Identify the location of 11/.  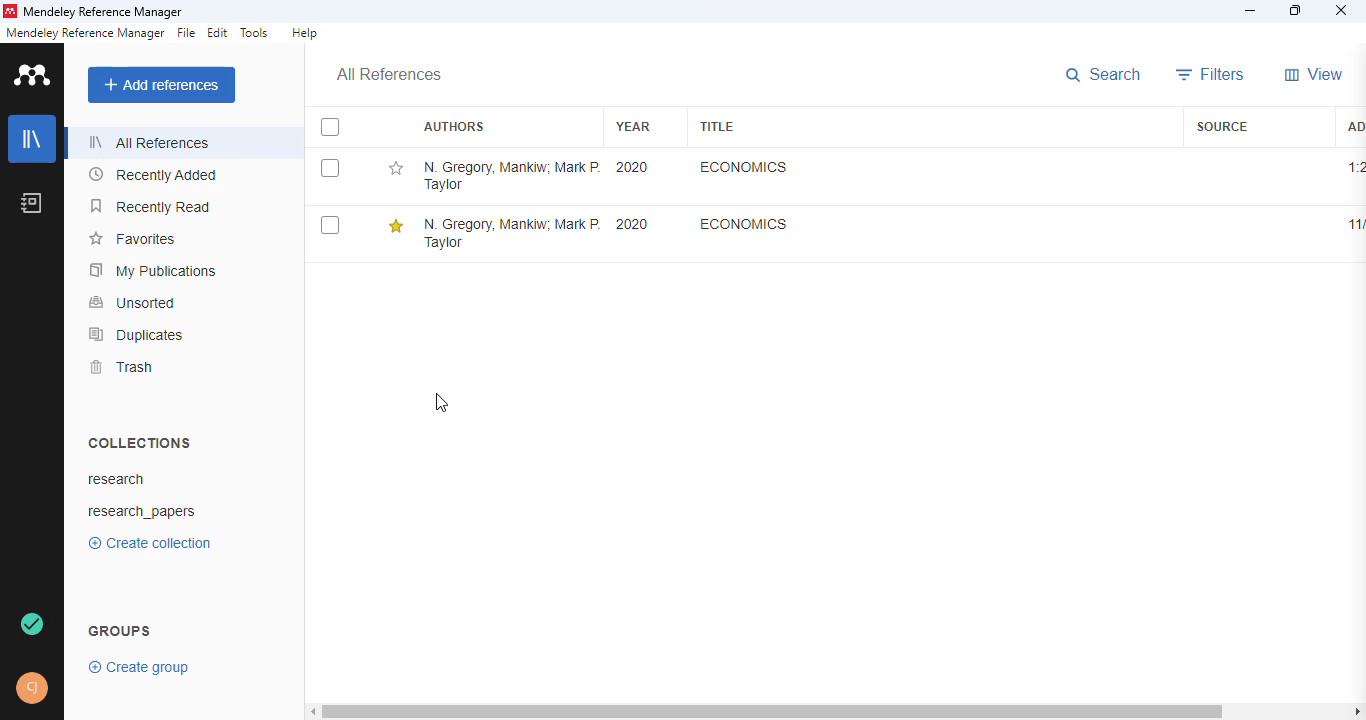
(1356, 224).